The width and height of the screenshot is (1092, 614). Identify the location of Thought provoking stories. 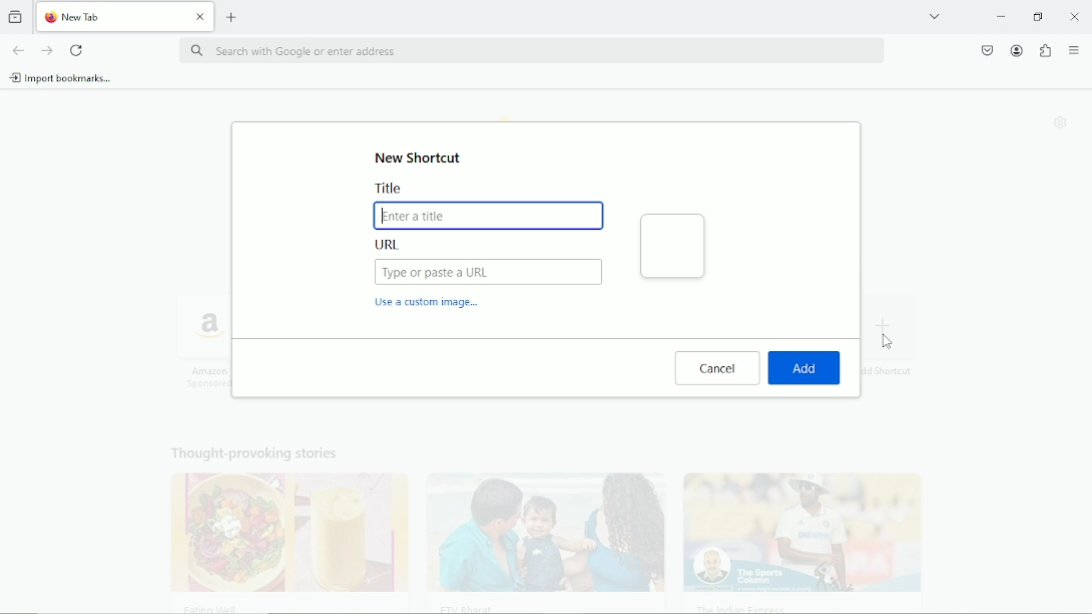
(534, 523).